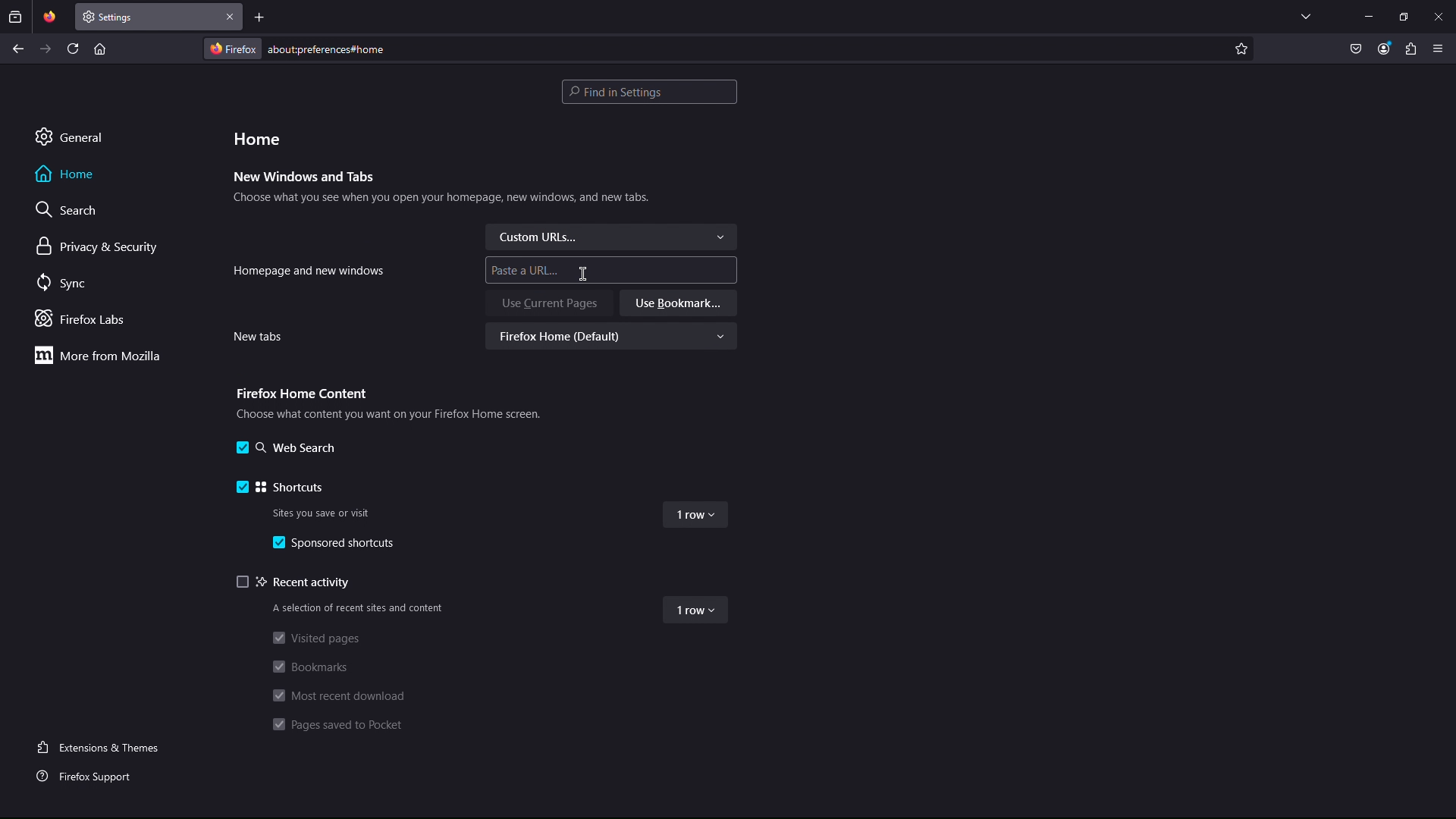  I want to click on Use Bookmark, so click(678, 303).